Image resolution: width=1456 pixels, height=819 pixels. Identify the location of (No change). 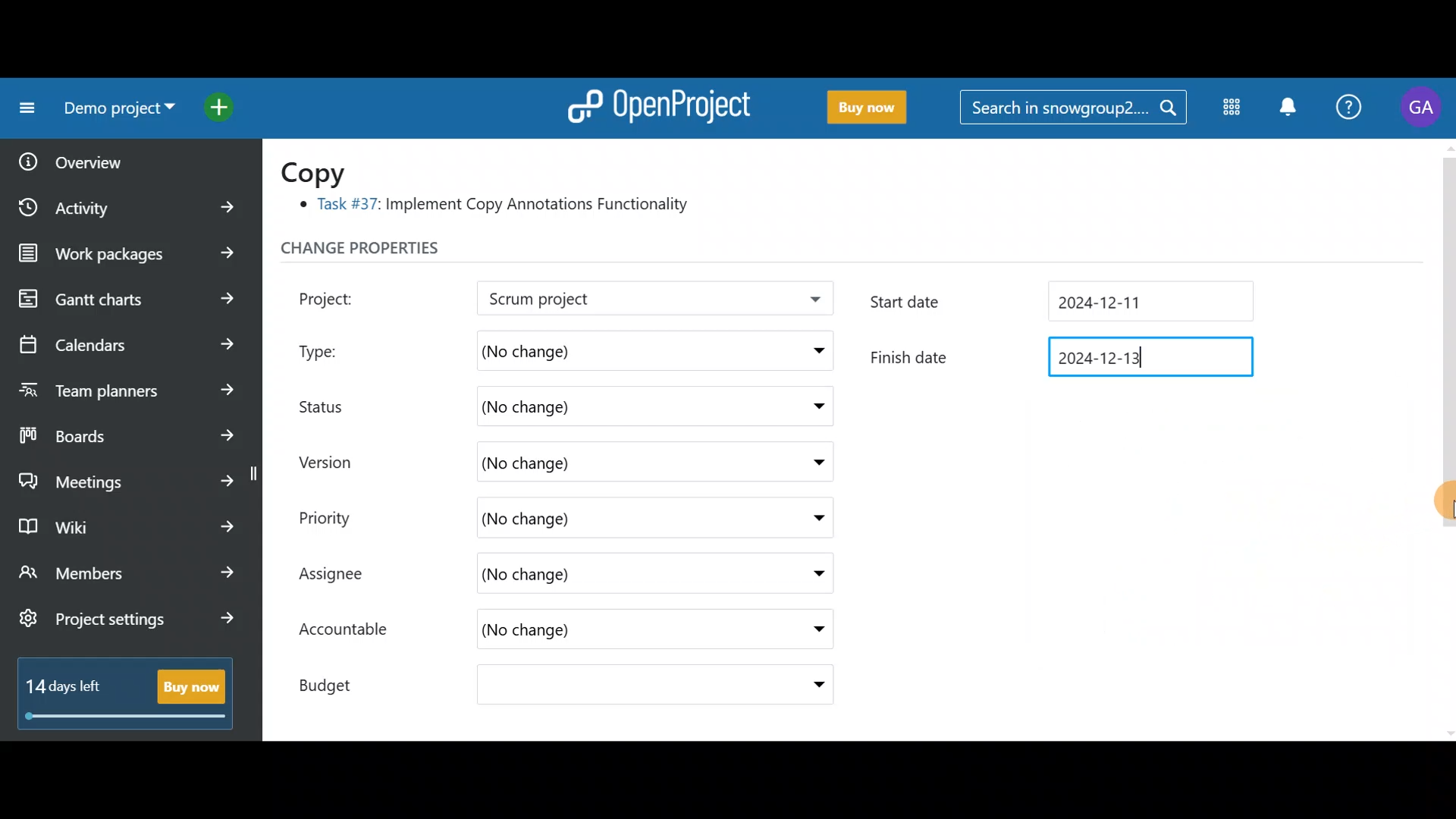
(601, 460).